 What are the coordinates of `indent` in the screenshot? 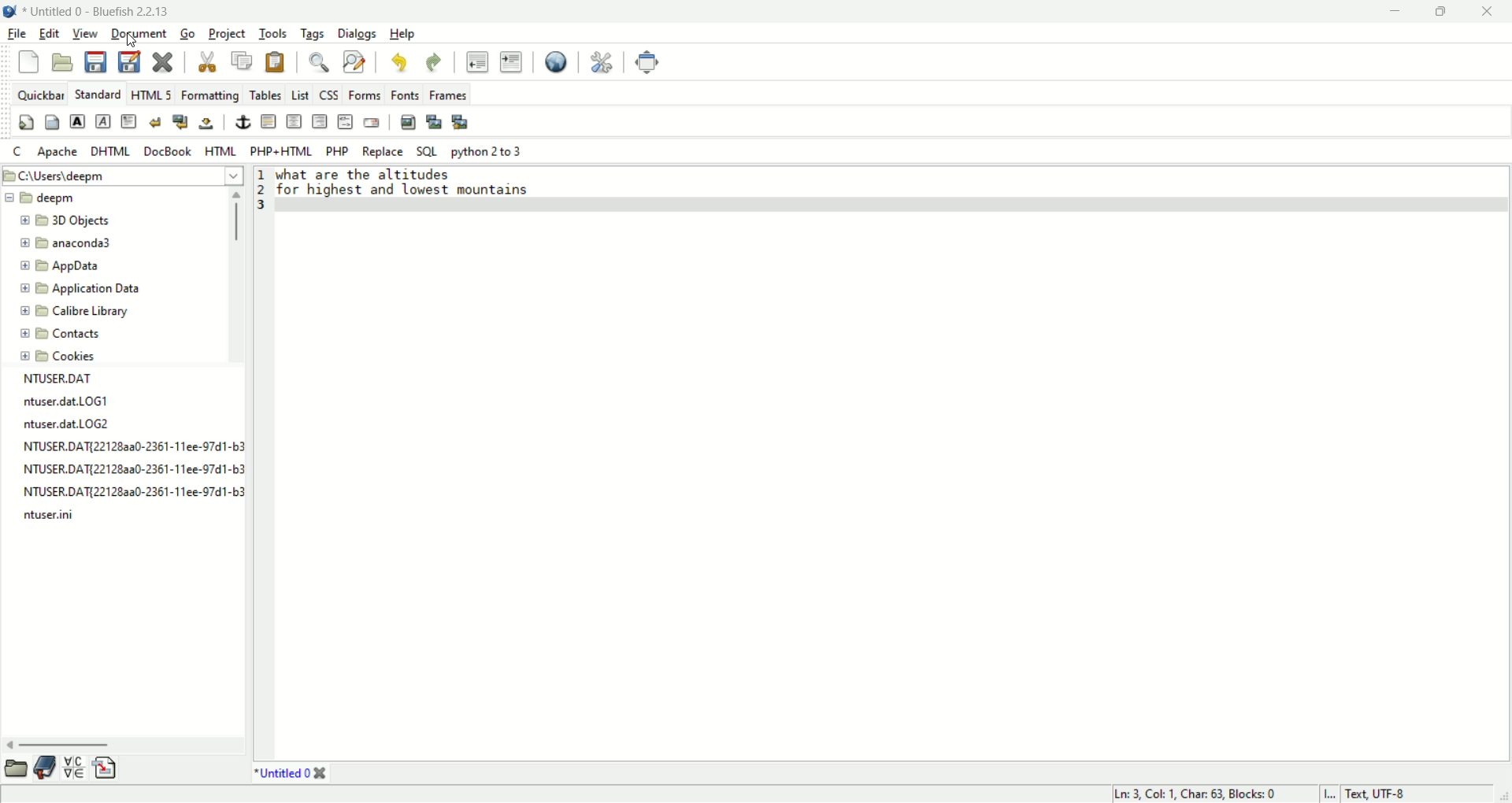 It's located at (511, 62).